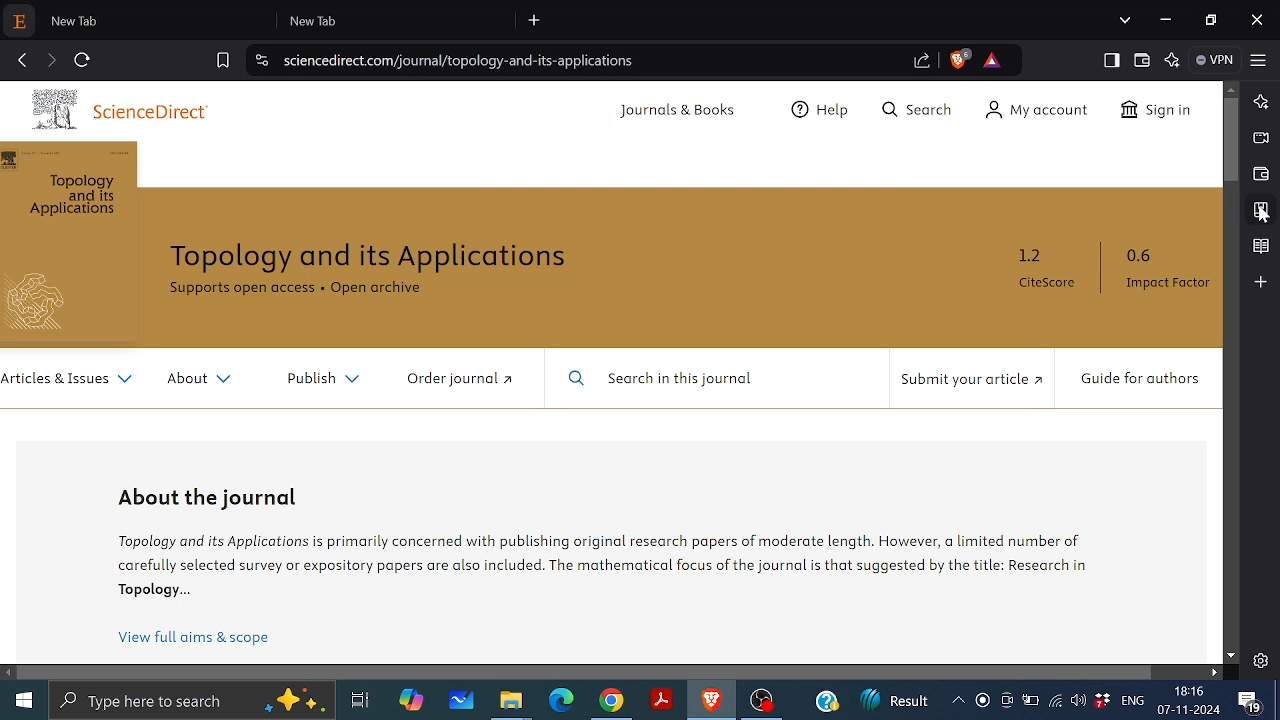 The height and width of the screenshot is (720, 1280). Describe the element at coordinates (1057, 702) in the screenshot. I see `` at that location.